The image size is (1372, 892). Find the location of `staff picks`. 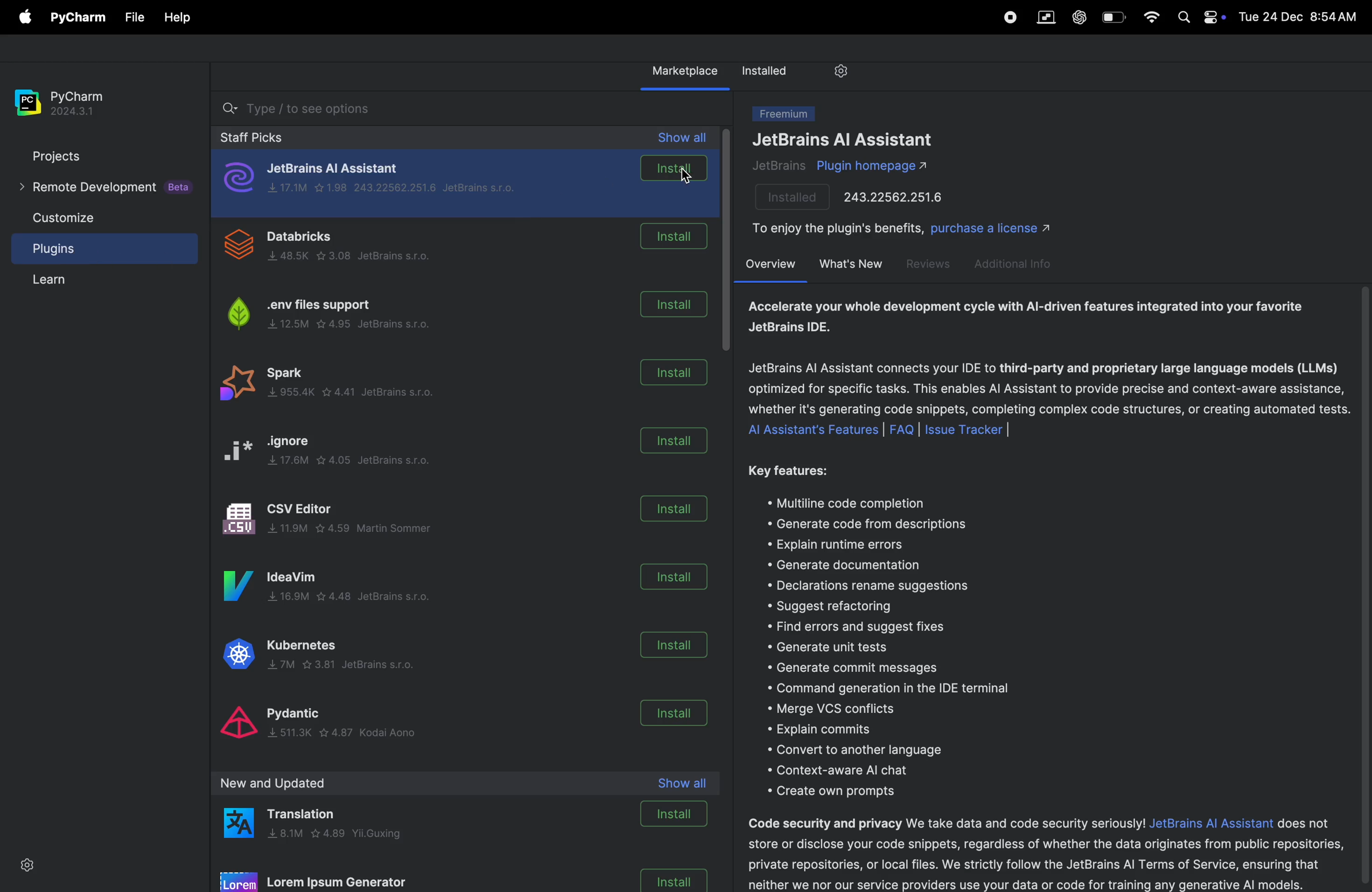

staff picks is located at coordinates (253, 138).